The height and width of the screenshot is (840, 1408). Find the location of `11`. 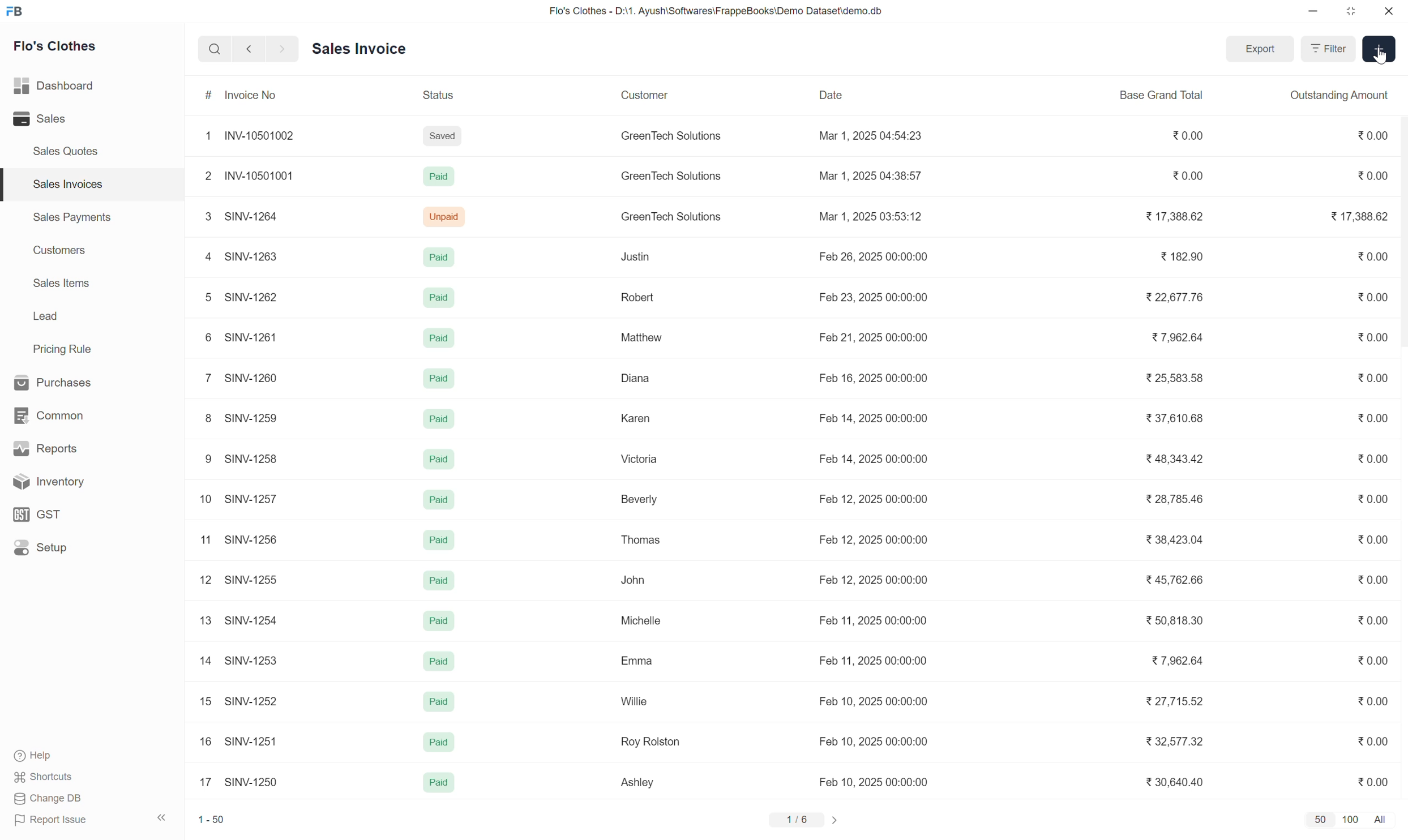

11 is located at coordinates (200, 542).